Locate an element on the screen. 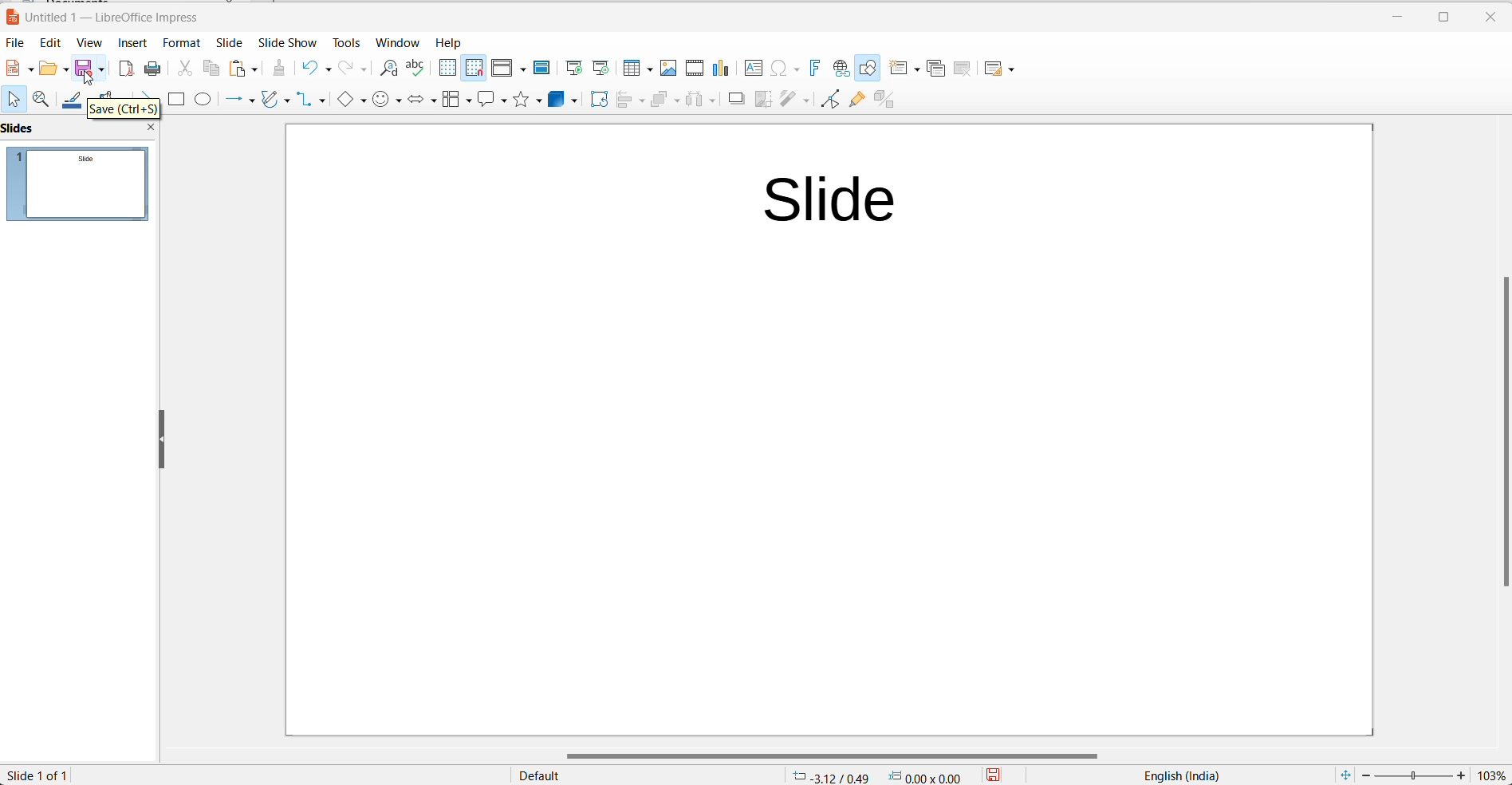  insert audio or video is located at coordinates (695, 67).